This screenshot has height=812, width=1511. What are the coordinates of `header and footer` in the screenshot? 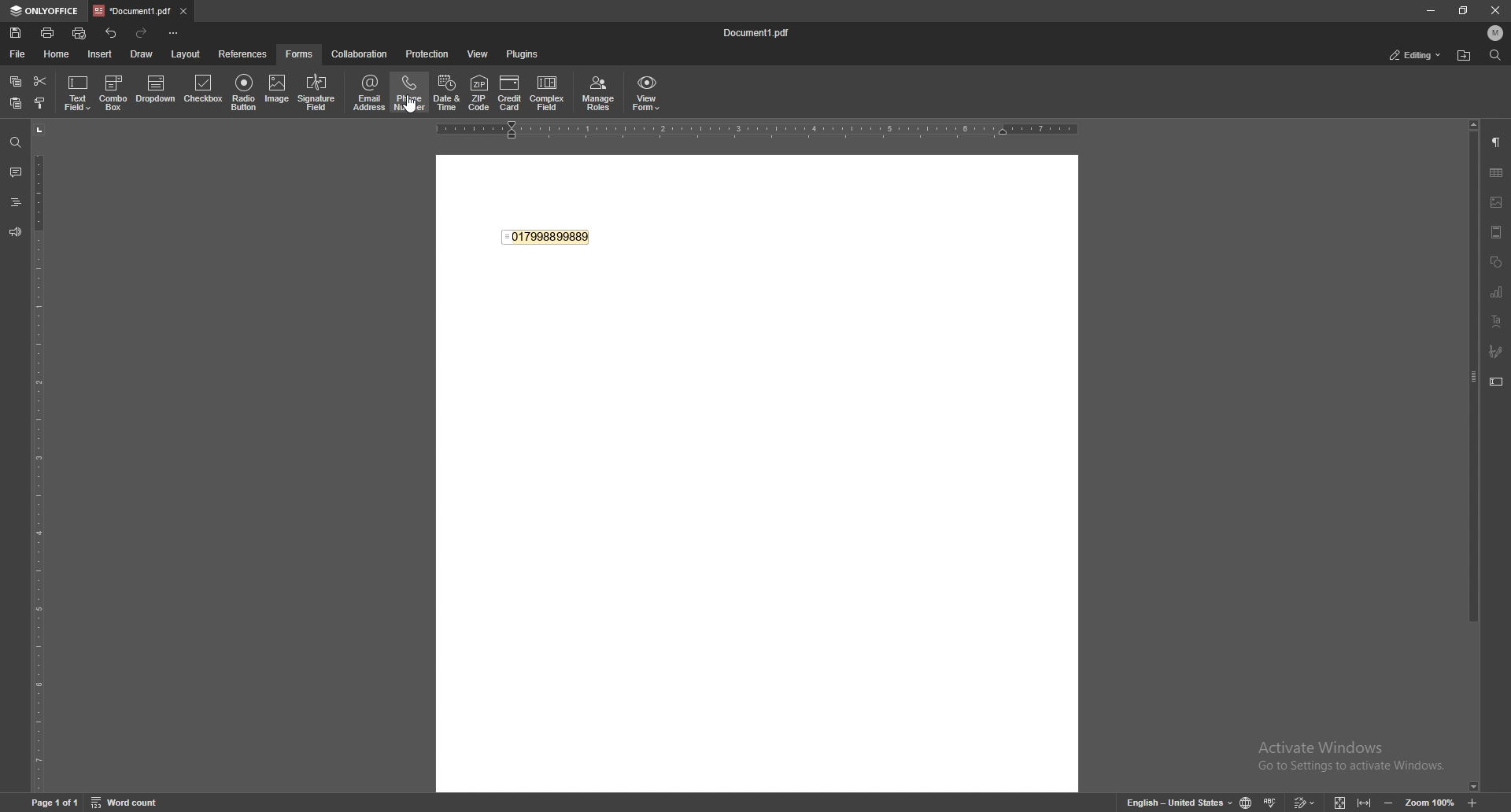 It's located at (1497, 232).